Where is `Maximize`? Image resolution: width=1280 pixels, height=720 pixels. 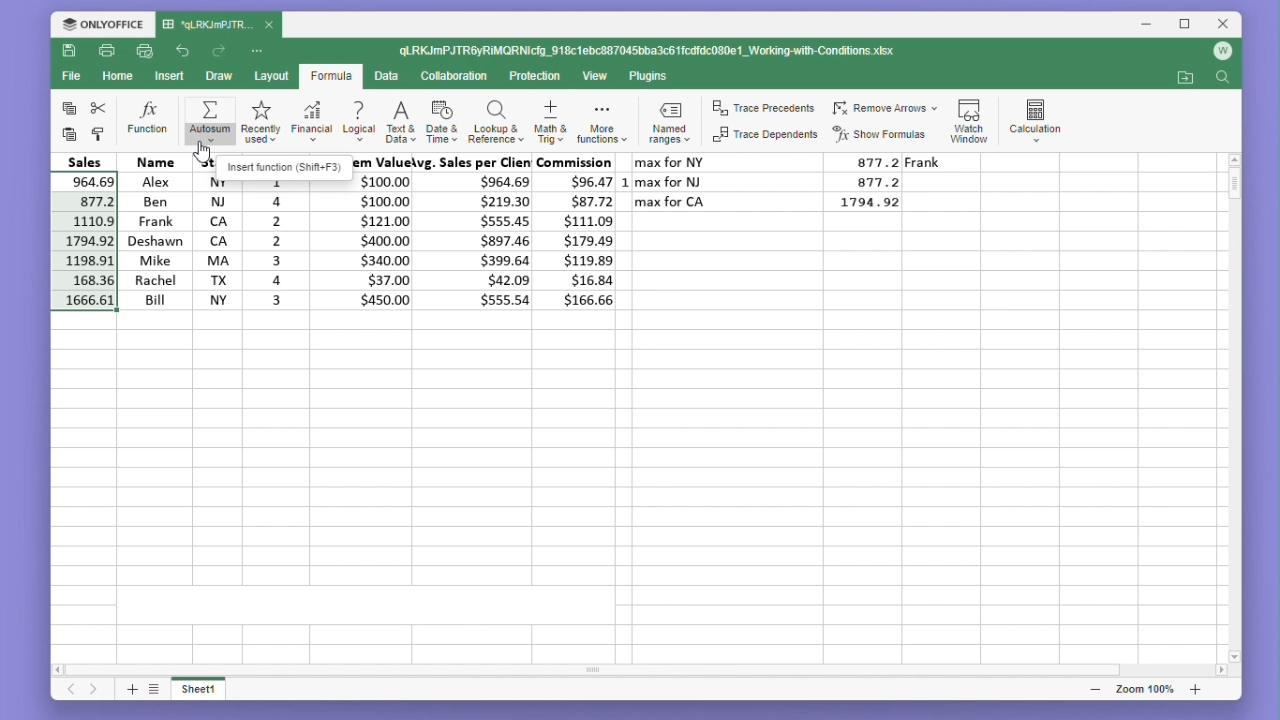
Maximize is located at coordinates (1181, 25).